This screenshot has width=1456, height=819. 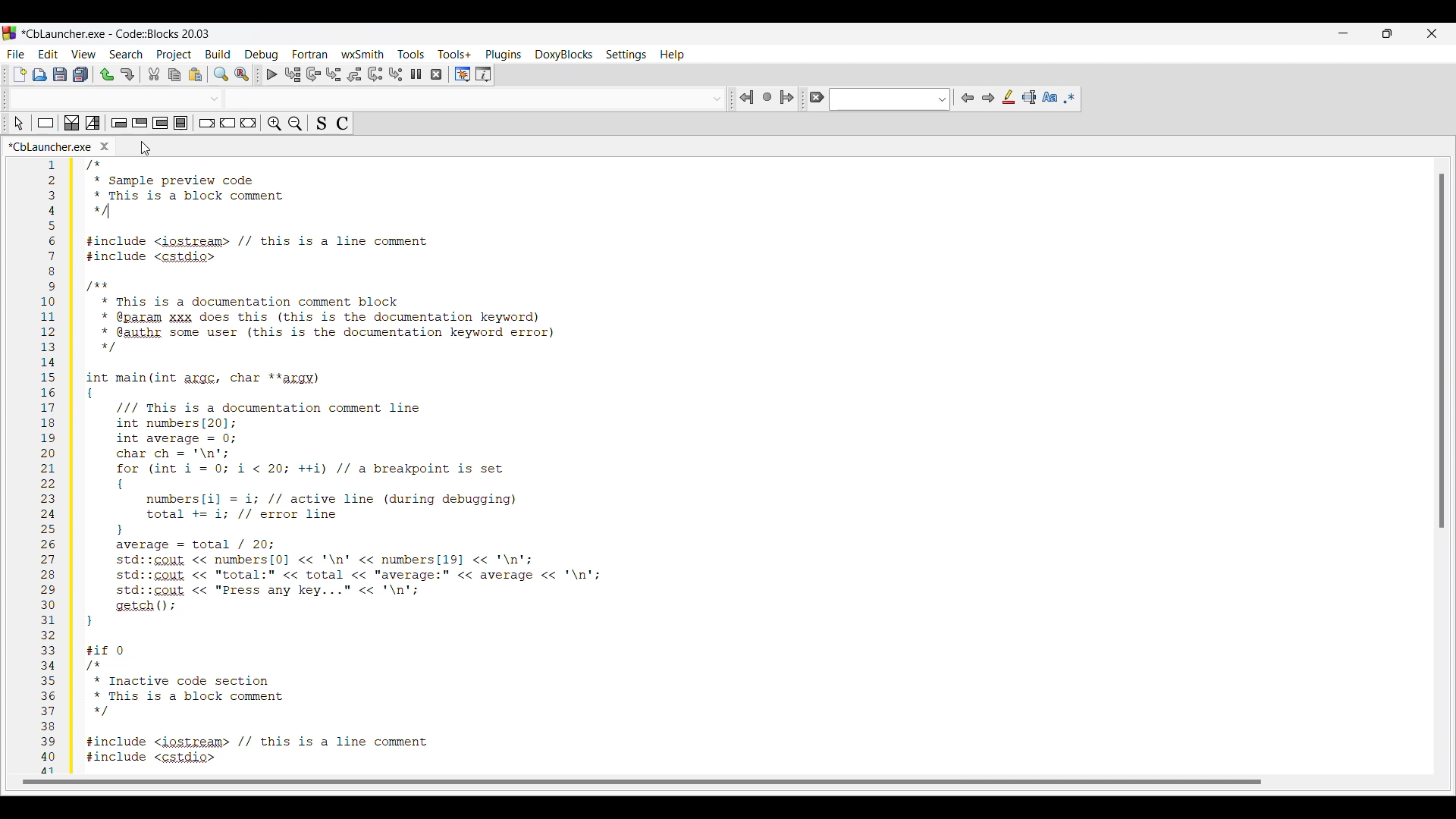 I want to click on Help menu, so click(x=673, y=55).